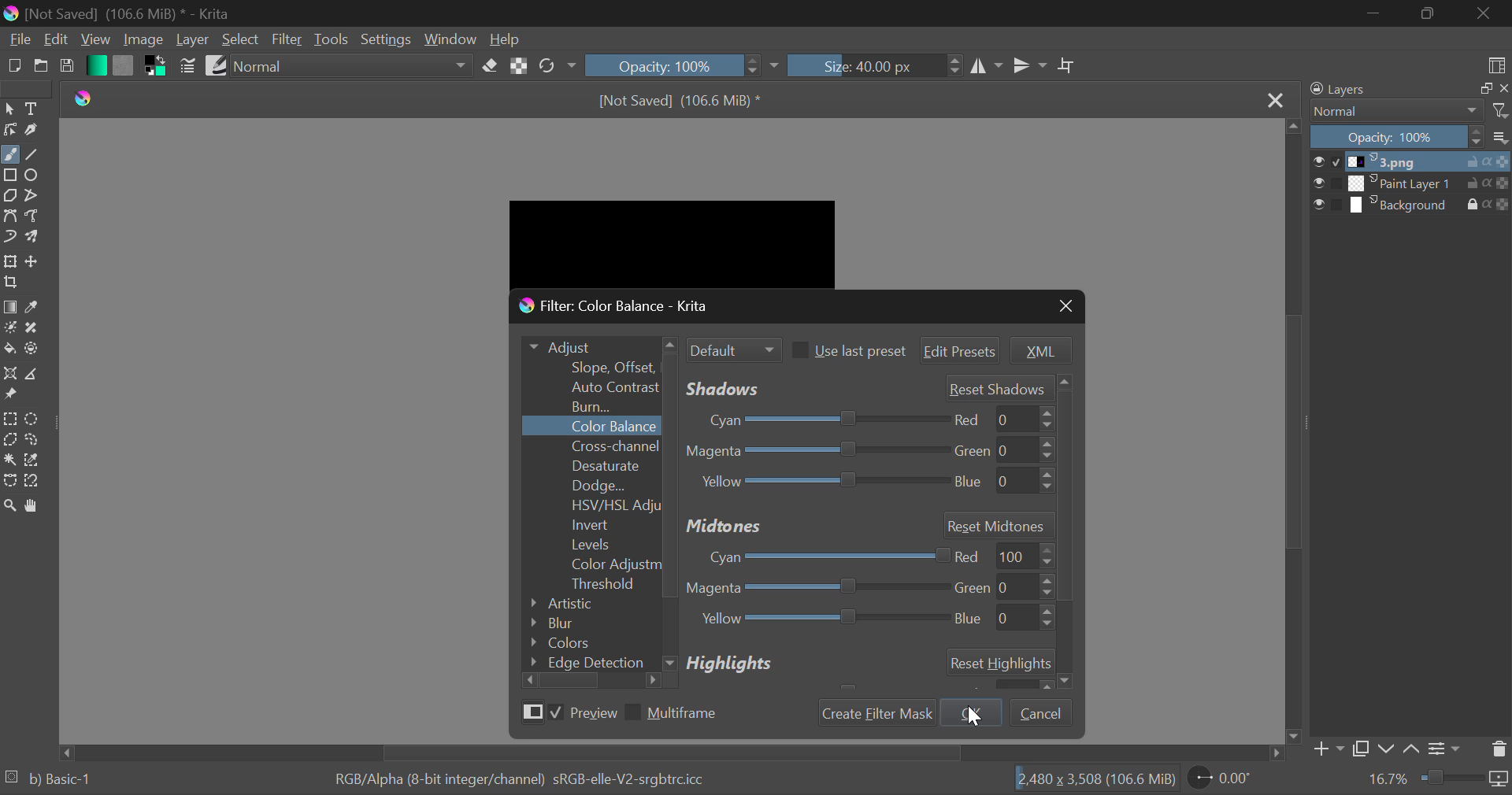 This screenshot has width=1512, height=795. What do you see at coordinates (13, 397) in the screenshot?
I see `Reference Images` at bounding box center [13, 397].